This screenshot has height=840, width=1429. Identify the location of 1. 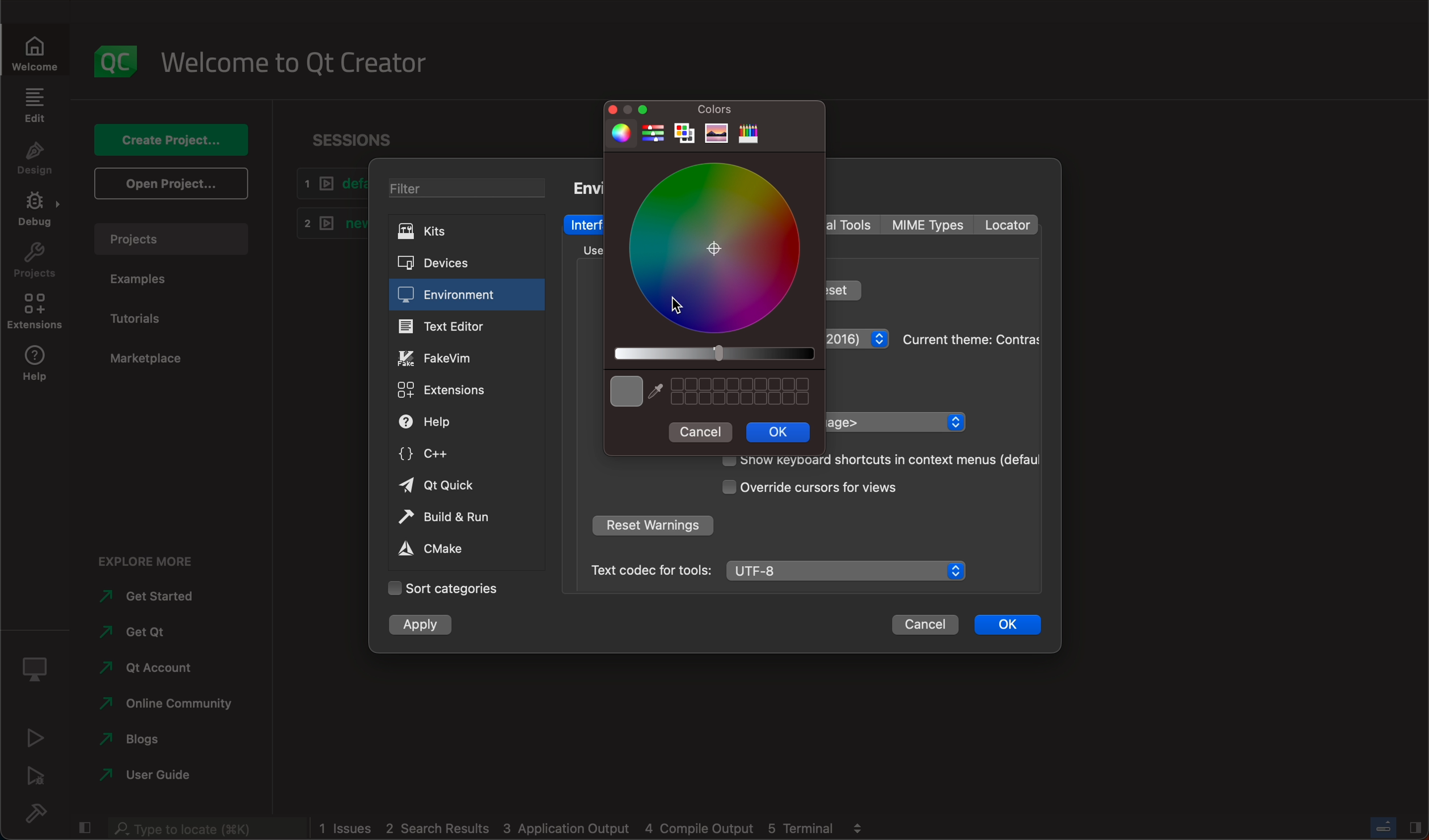
(328, 184).